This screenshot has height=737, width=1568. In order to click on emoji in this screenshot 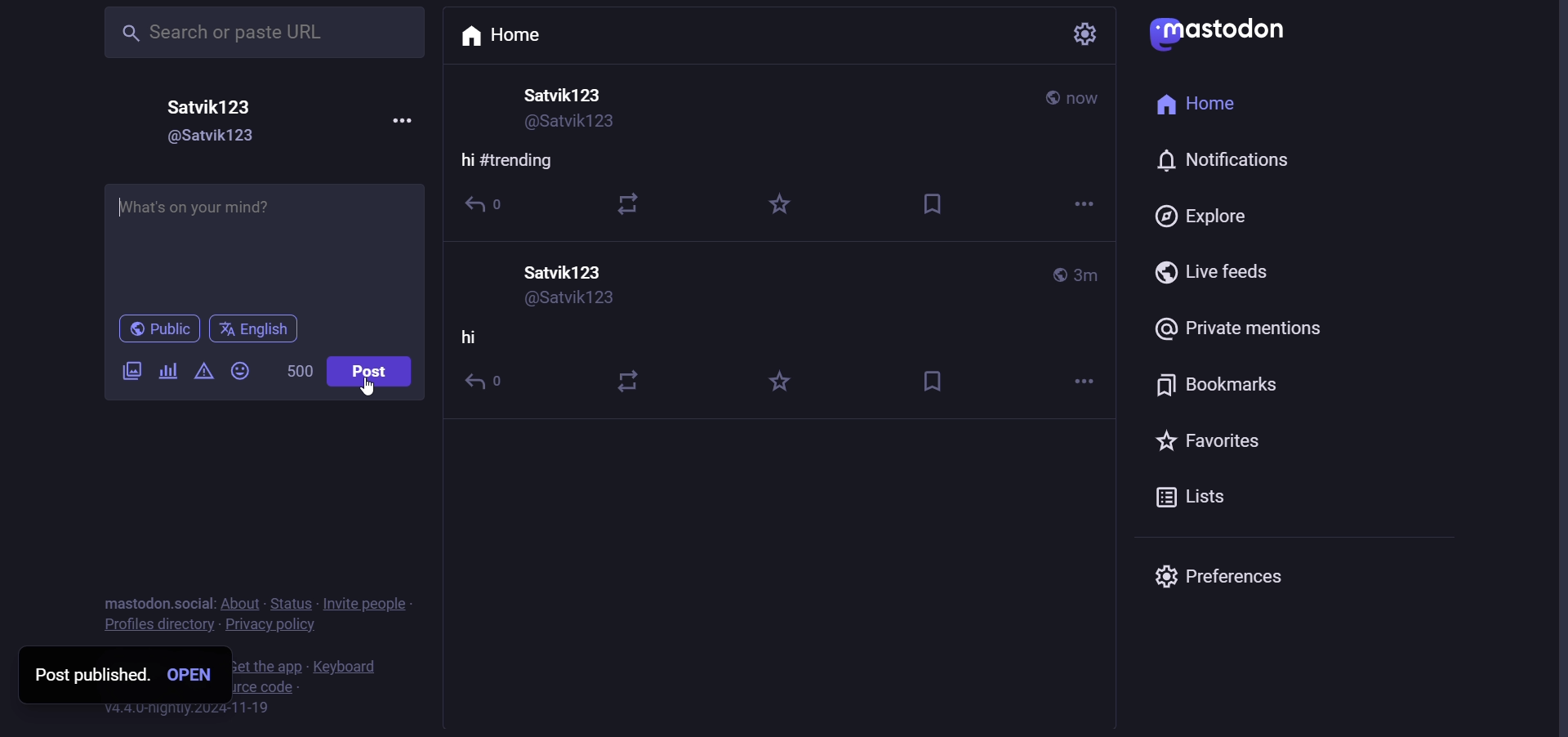, I will do `click(241, 369)`.